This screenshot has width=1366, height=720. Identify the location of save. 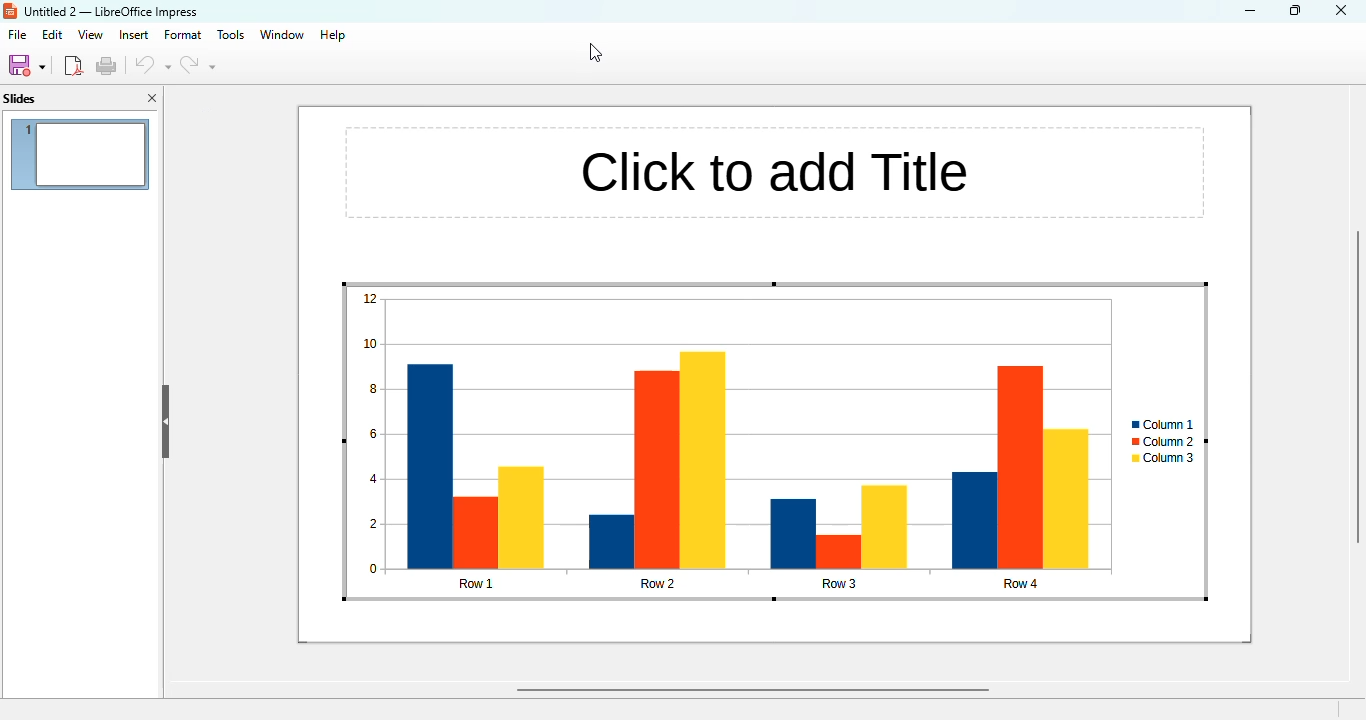
(27, 64).